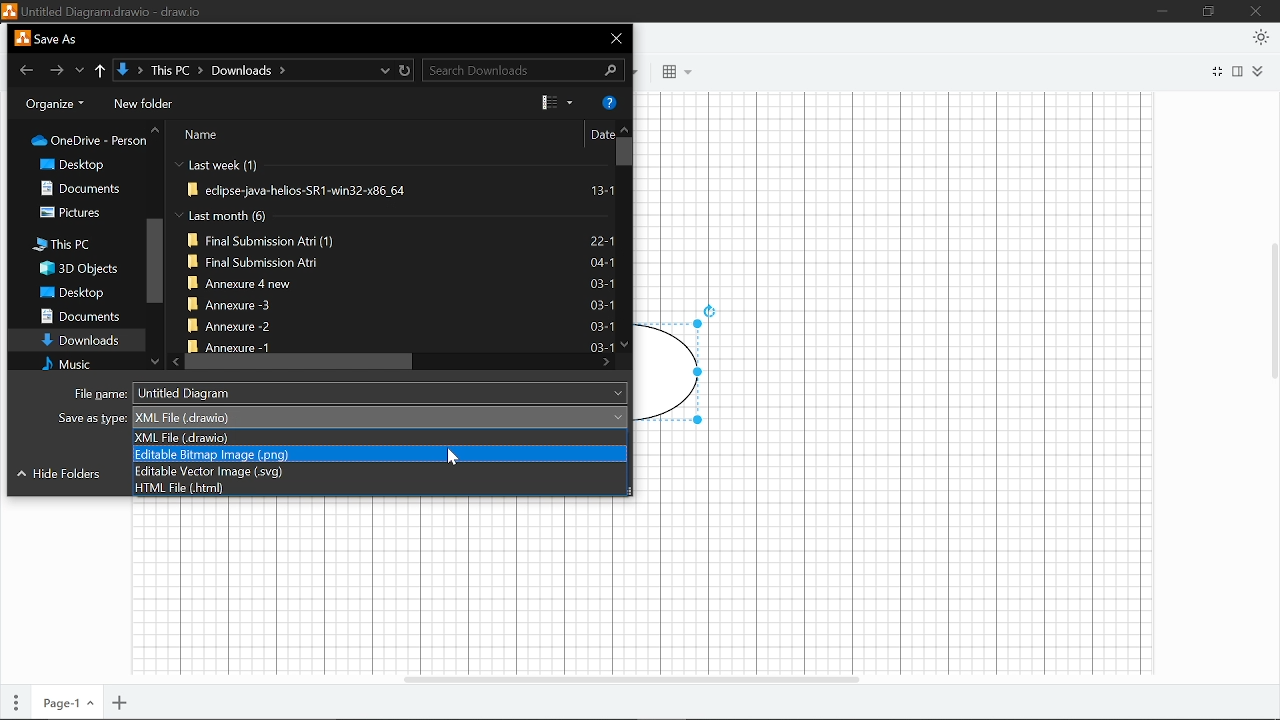 Image resolution: width=1280 pixels, height=720 pixels. Describe the element at coordinates (303, 361) in the screenshot. I see `Horizontal scrollbar for files in "Downloads""` at that location.